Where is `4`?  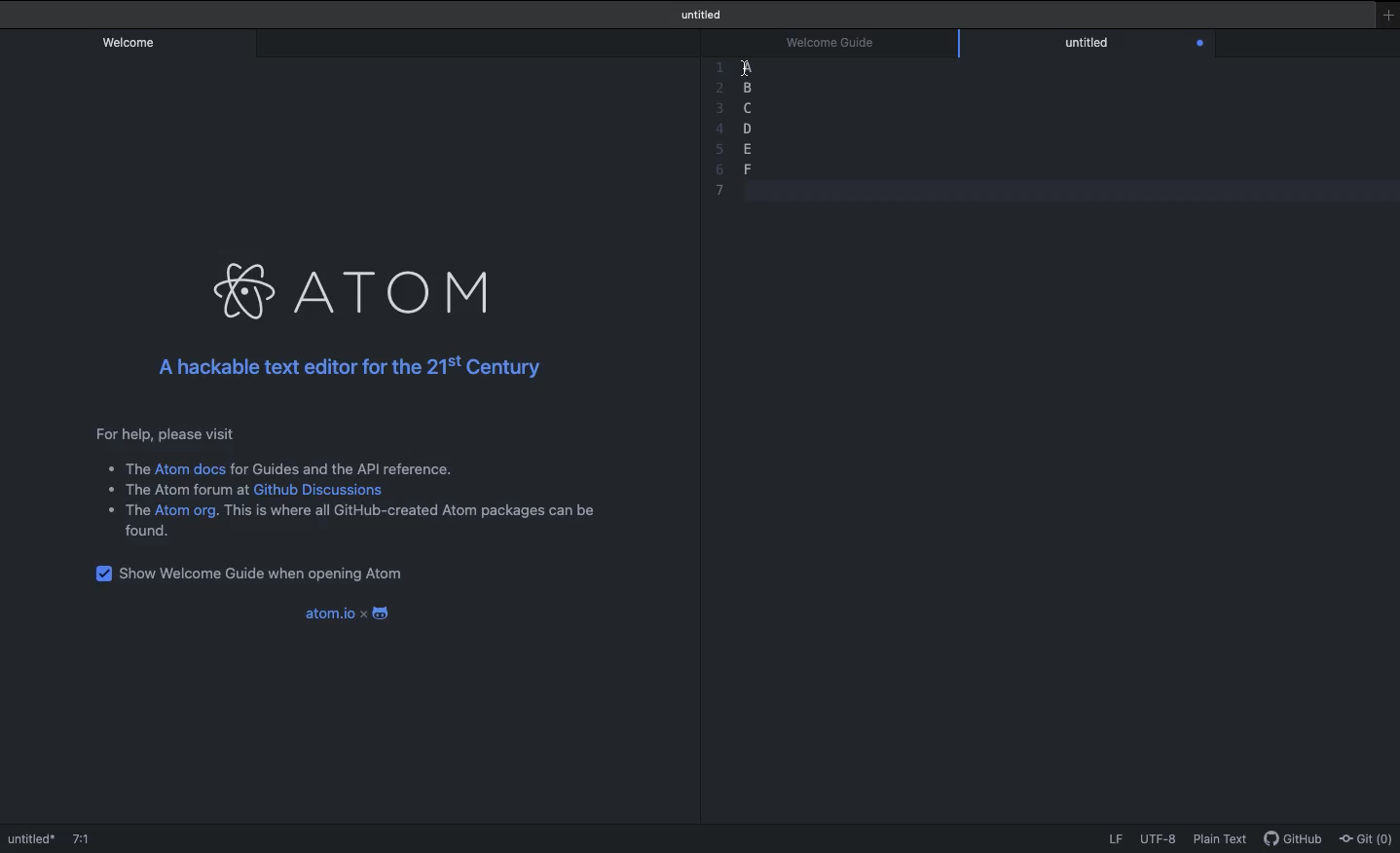
4 is located at coordinates (717, 128).